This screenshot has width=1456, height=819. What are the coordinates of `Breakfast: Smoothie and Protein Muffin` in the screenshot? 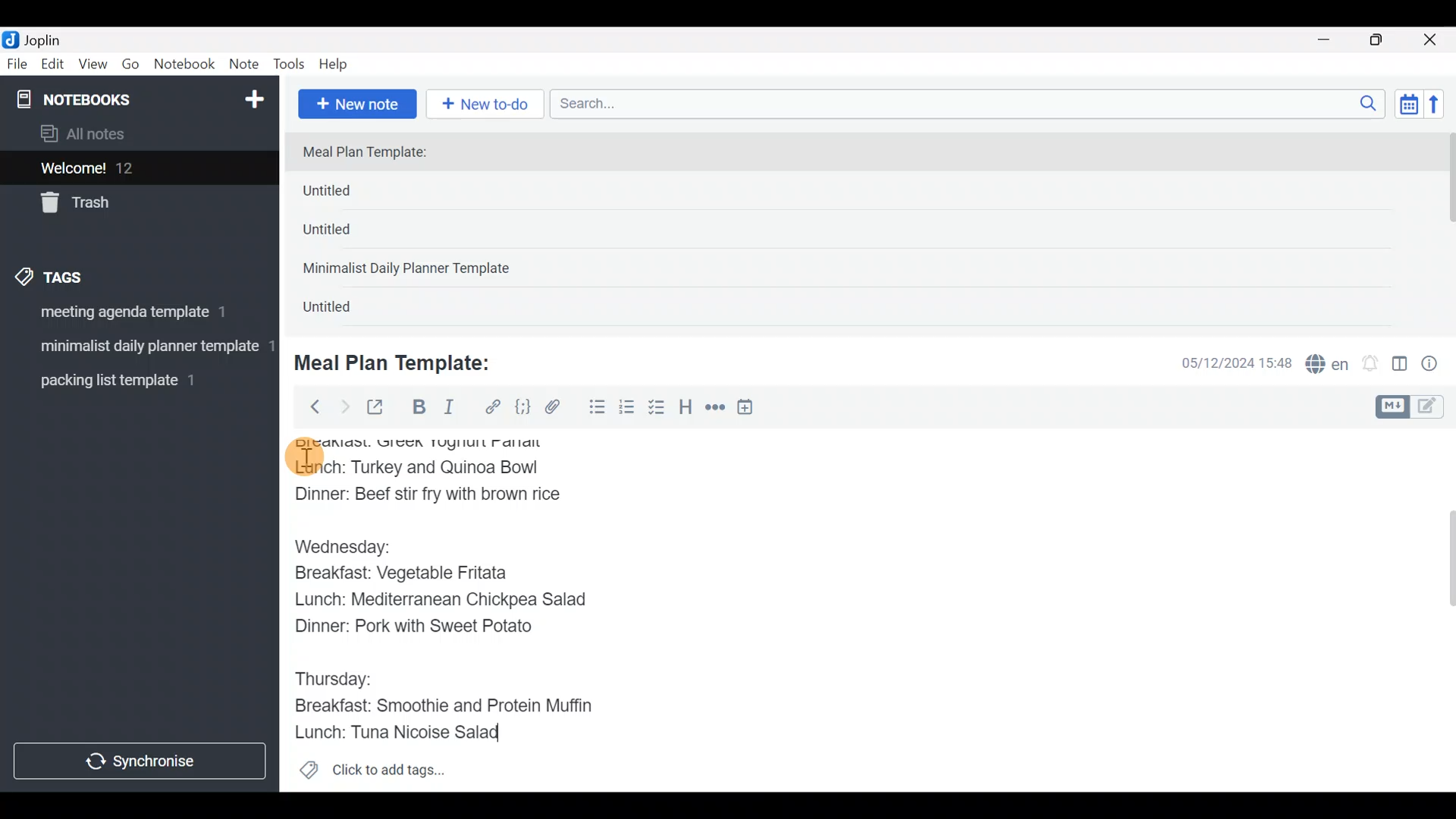 It's located at (445, 707).